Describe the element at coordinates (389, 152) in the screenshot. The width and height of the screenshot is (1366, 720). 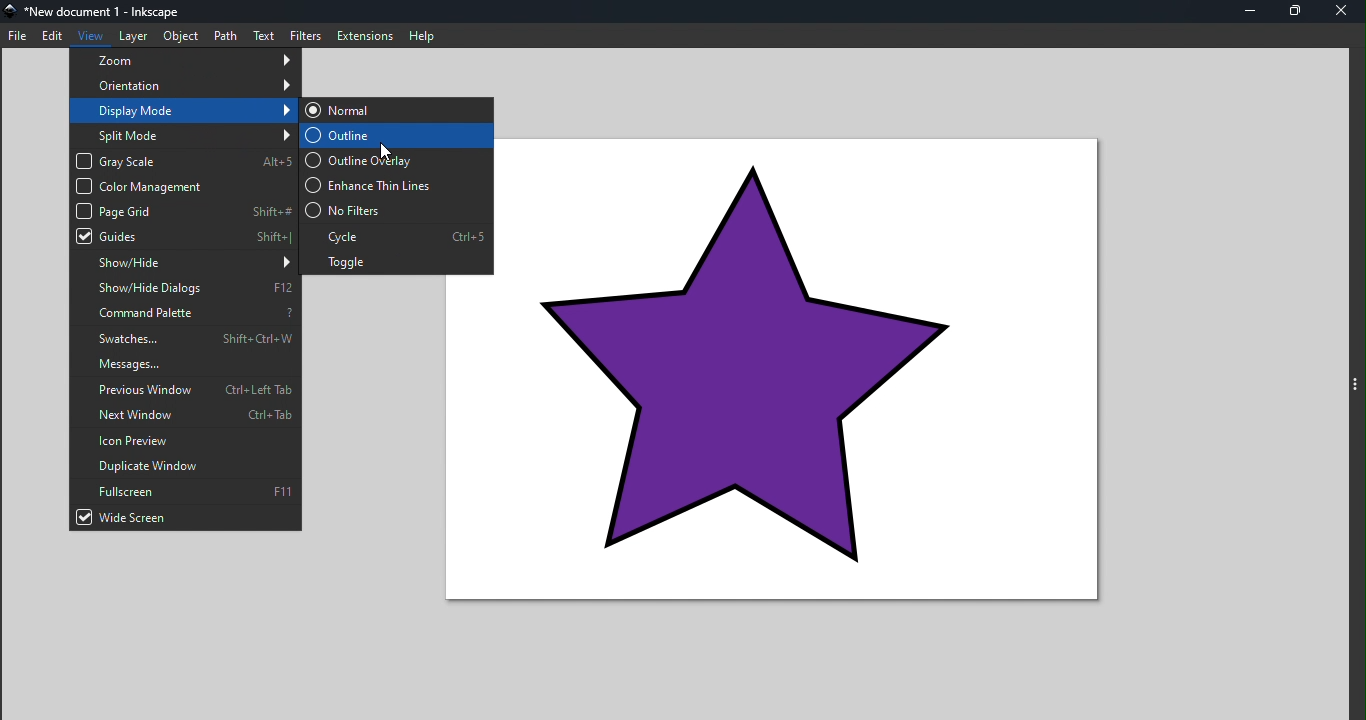
I see `mouse pointer` at that location.